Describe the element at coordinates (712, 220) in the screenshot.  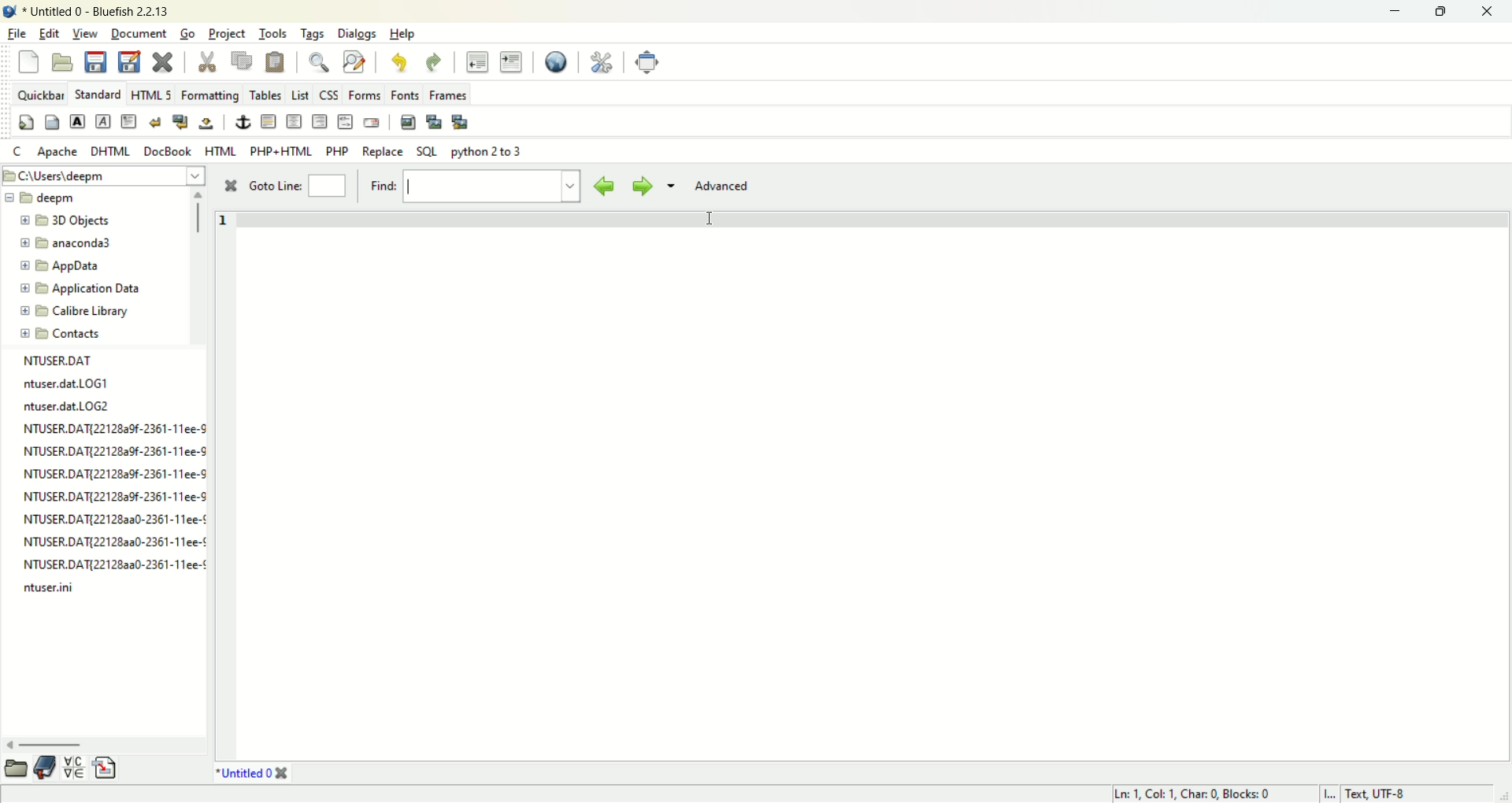
I see `cursor` at that location.